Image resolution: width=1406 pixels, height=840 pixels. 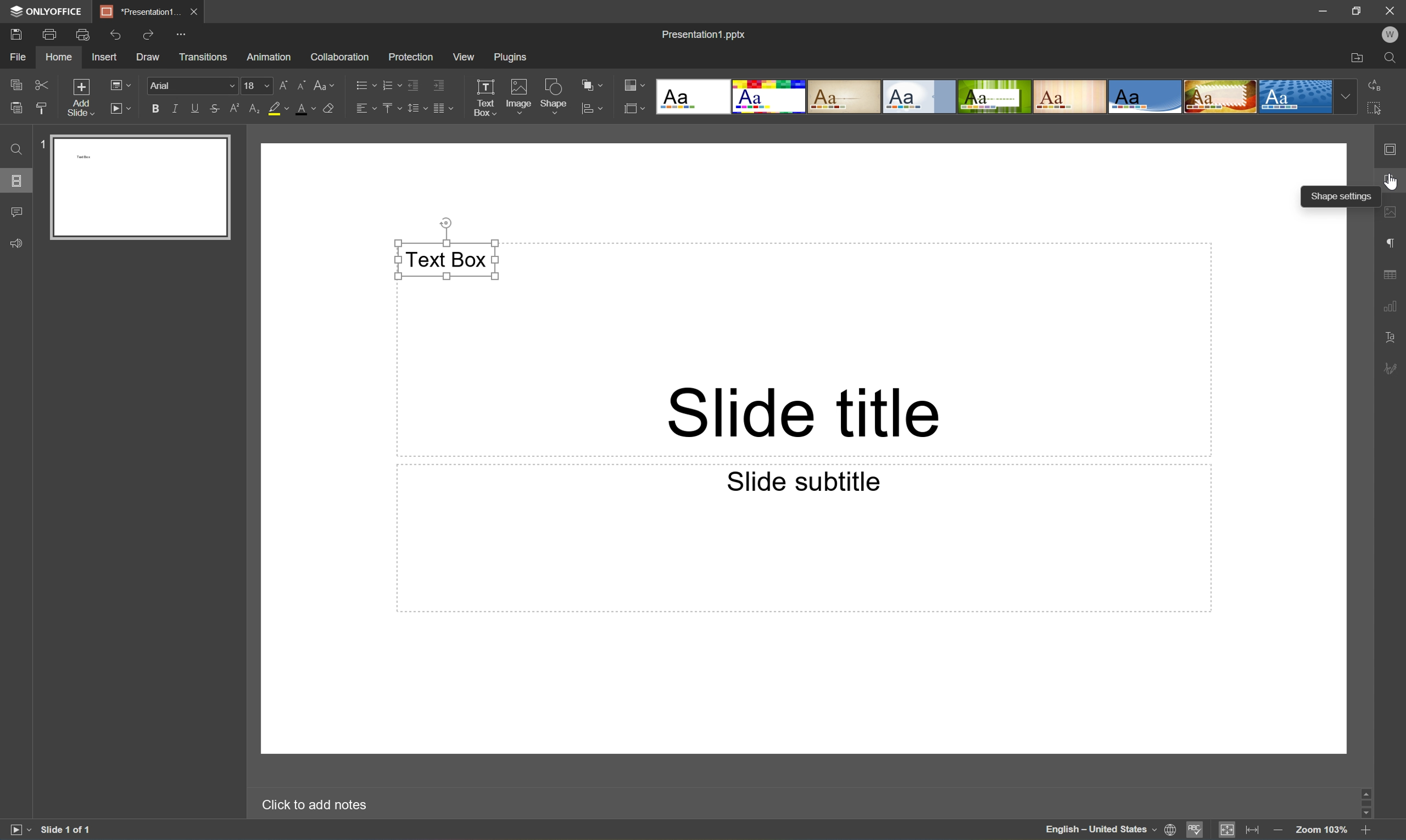 I want to click on Home, so click(x=60, y=57).